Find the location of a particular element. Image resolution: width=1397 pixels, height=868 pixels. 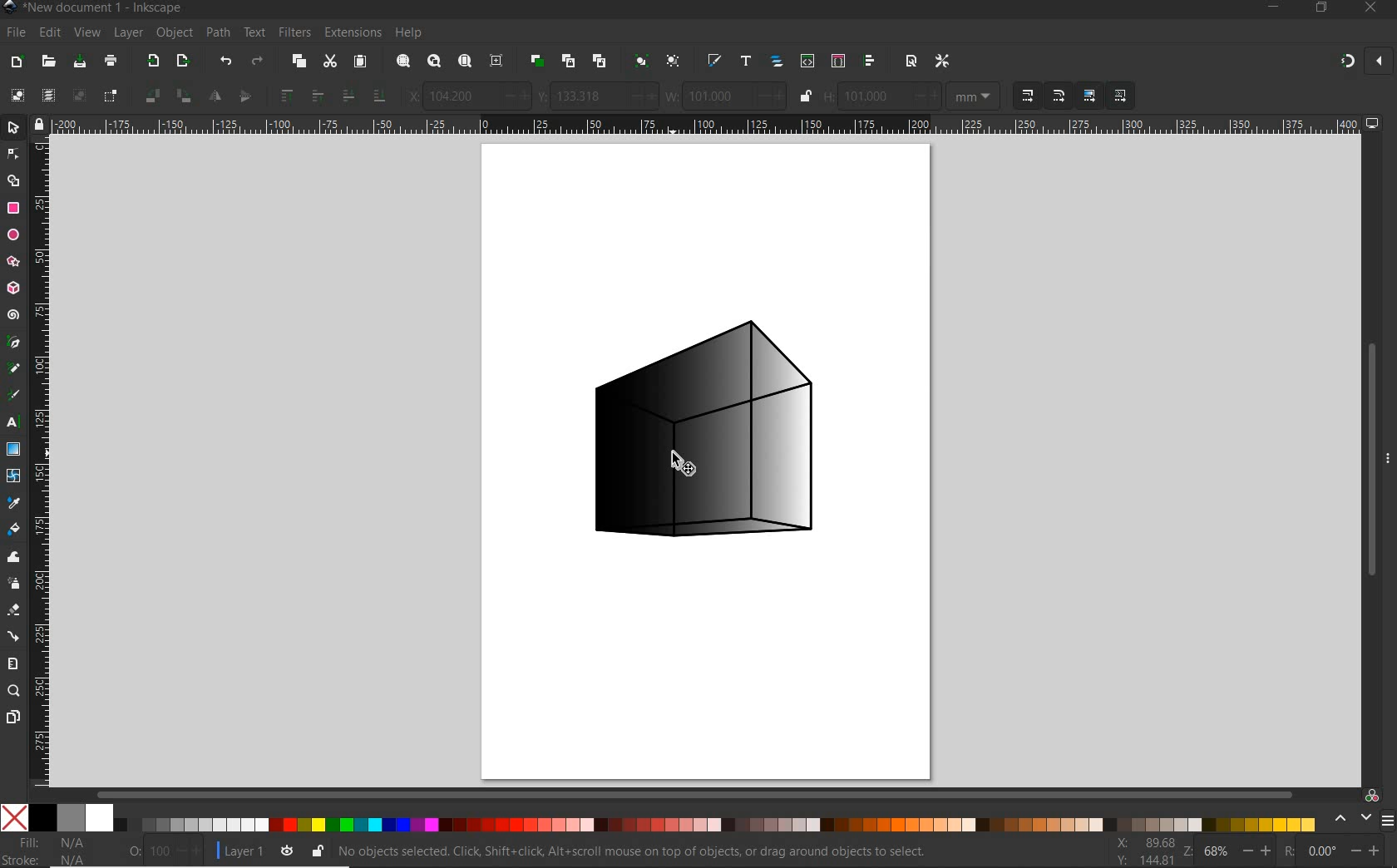

LOWER SELECTION is located at coordinates (378, 95).